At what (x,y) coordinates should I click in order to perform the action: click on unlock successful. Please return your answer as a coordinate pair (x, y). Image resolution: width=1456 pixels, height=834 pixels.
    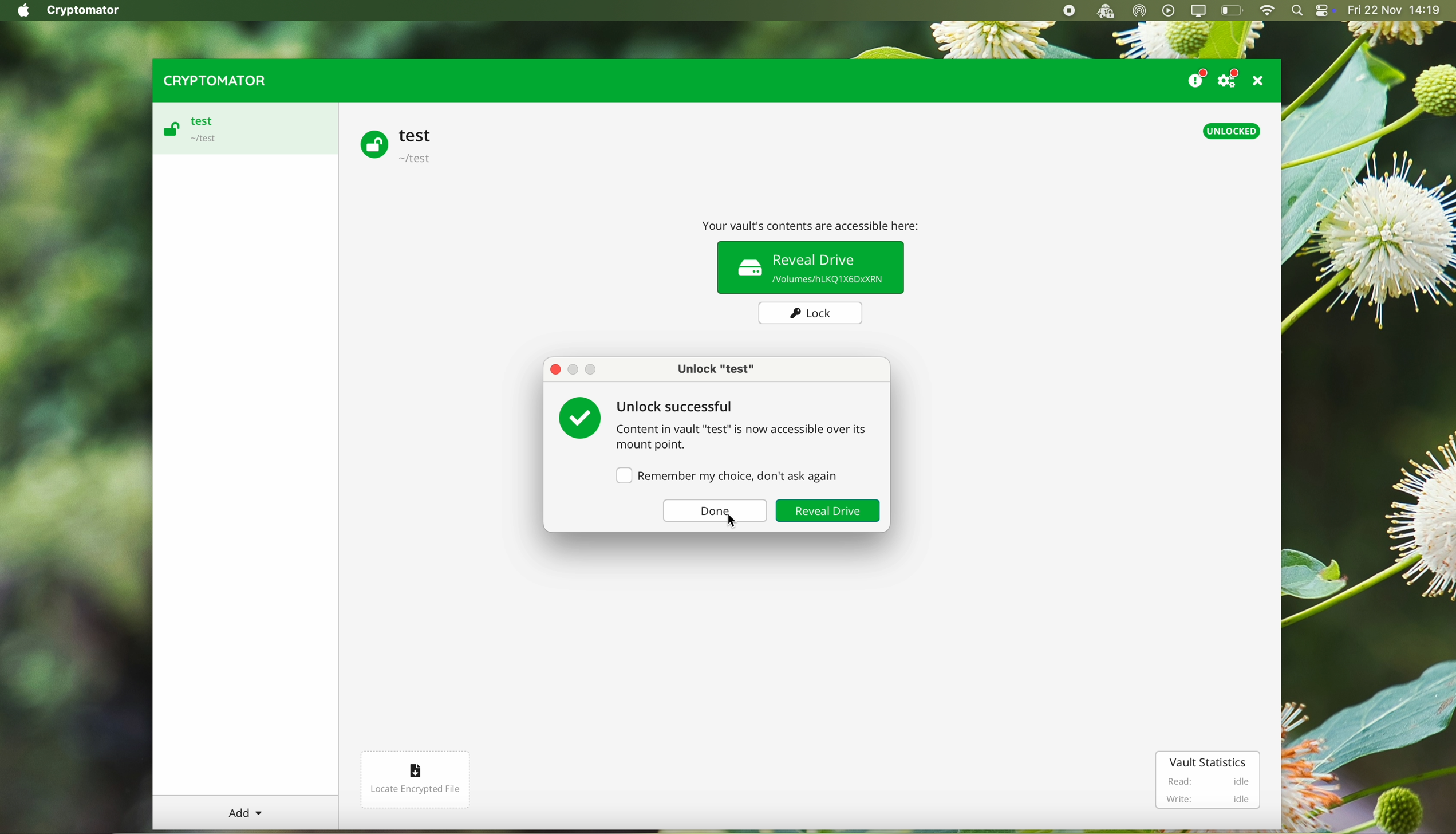
    Looking at the image, I should click on (678, 405).